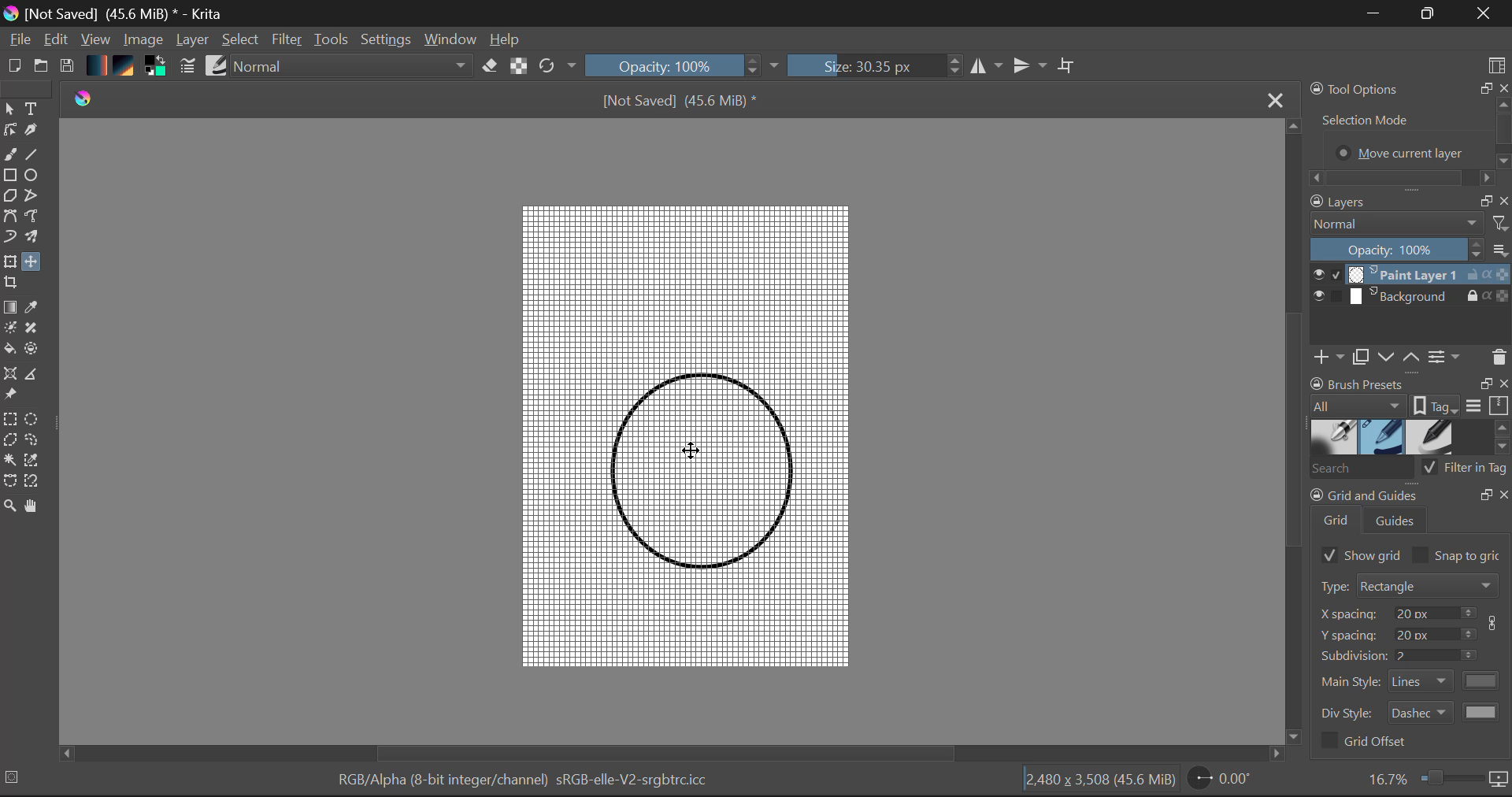 The width and height of the screenshot is (1512, 797). Describe the element at coordinates (1409, 224) in the screenshot. I see `Blending Mode` at that location.